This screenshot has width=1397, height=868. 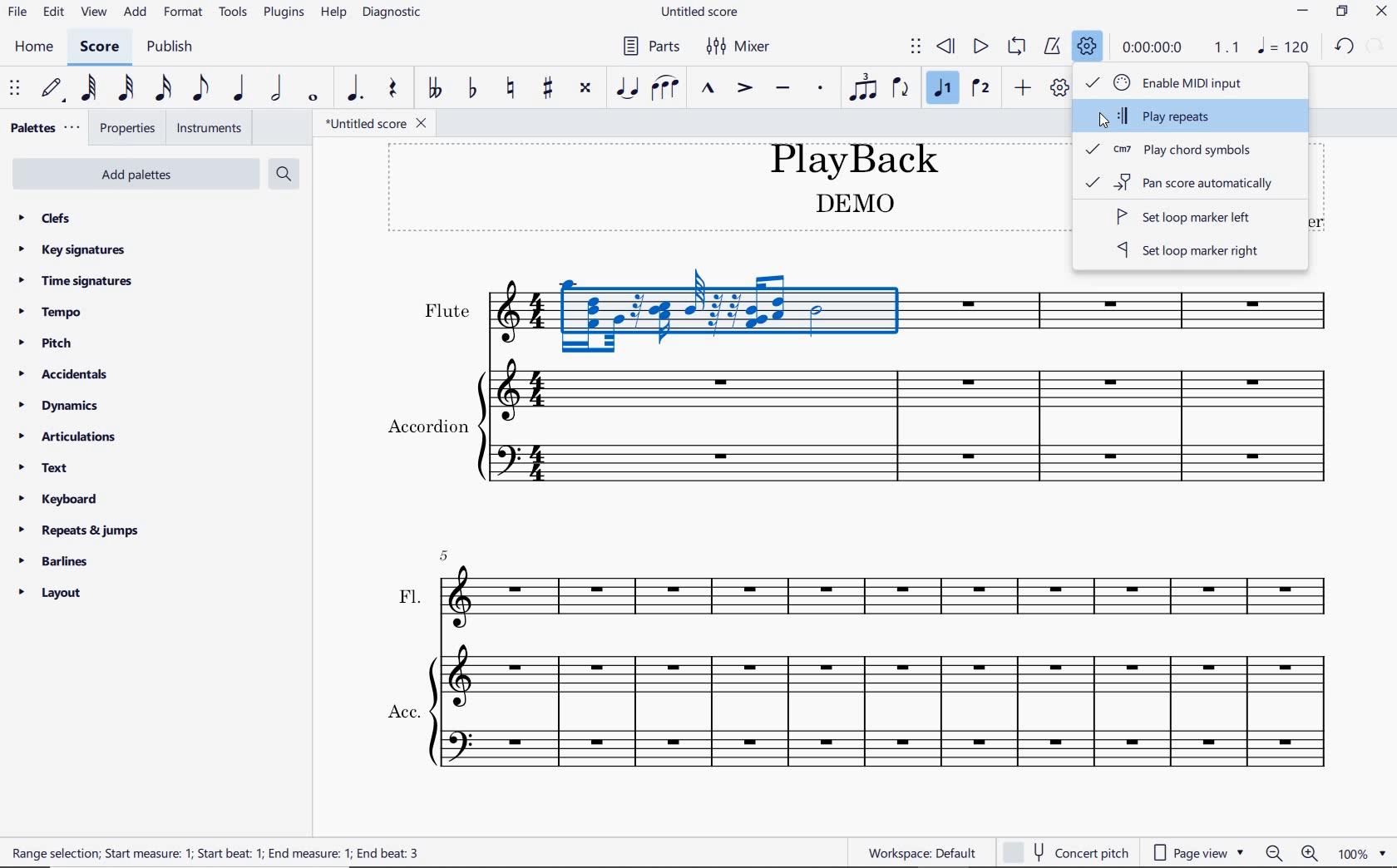 I want to click on 64th note, so click(x=90, y=88).